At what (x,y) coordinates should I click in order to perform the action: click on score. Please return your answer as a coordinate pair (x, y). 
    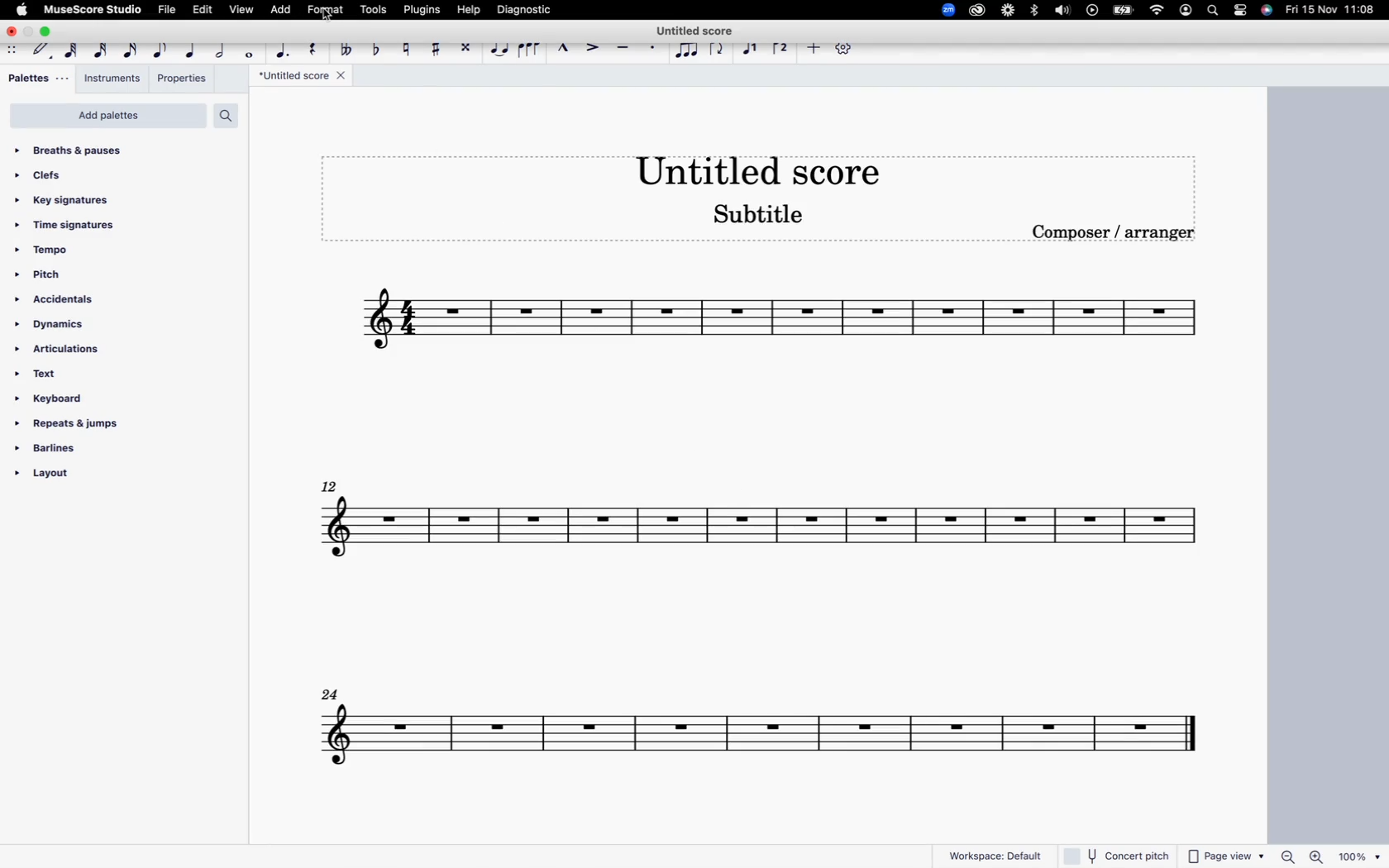
    Looking at the image, I should click on (752, 524).